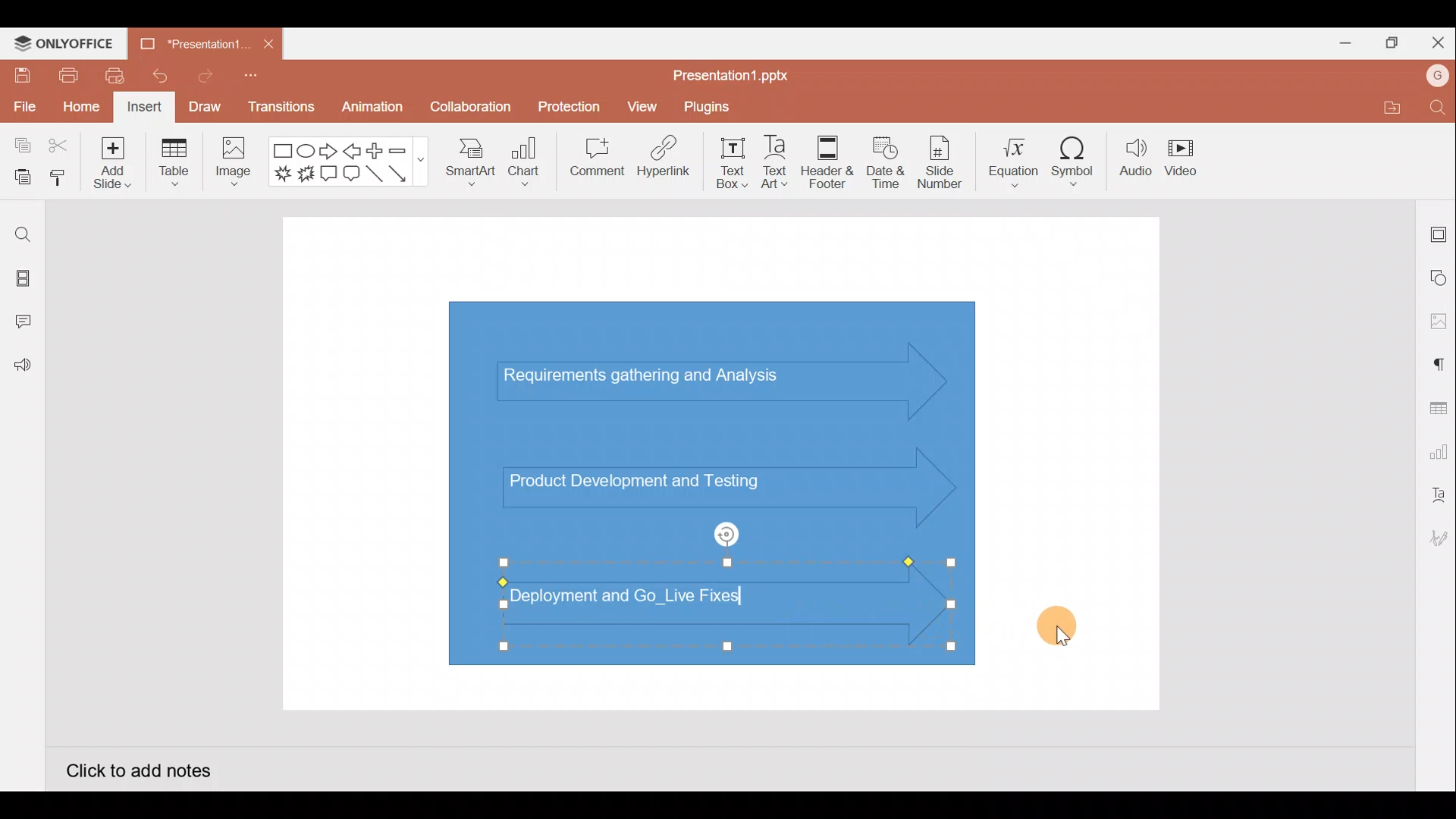  Describe the element at coordinates (1439, 107) in the screenshot. I see `Find` at that location.